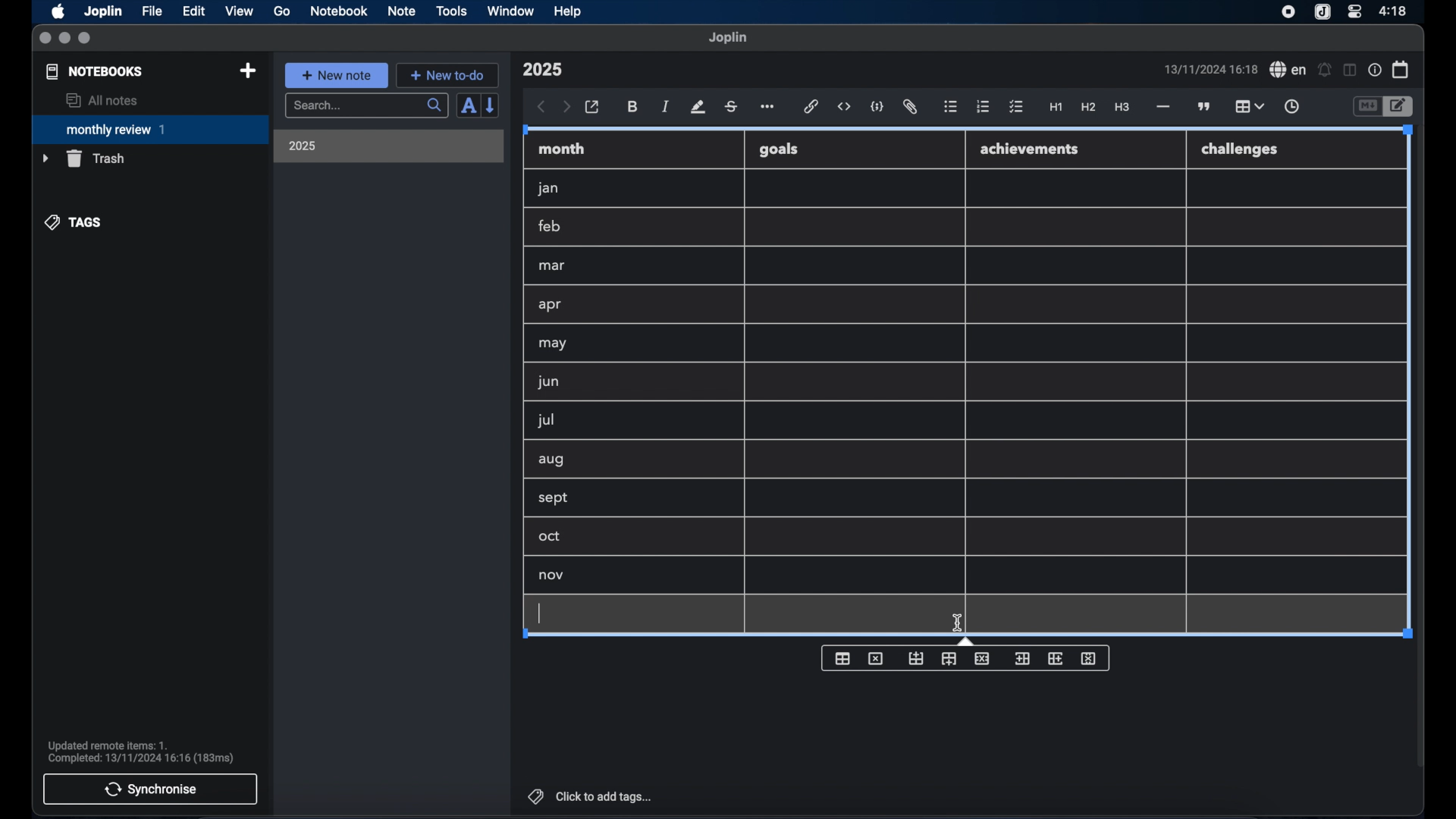  Describe the element at coordinates (950, 107) in the screenshot. I see `bulleted list` at that location.